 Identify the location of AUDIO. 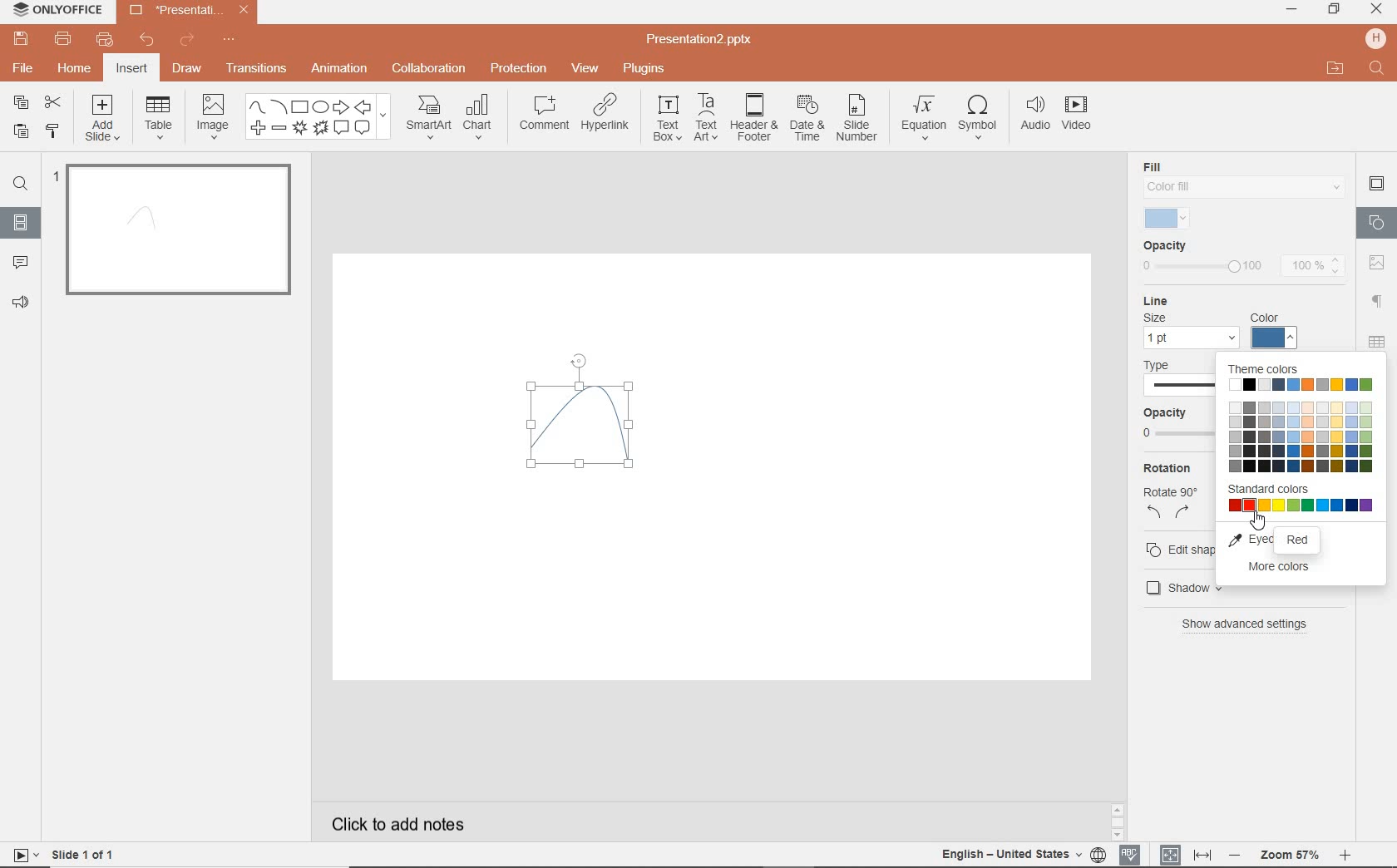
(1036, 114).